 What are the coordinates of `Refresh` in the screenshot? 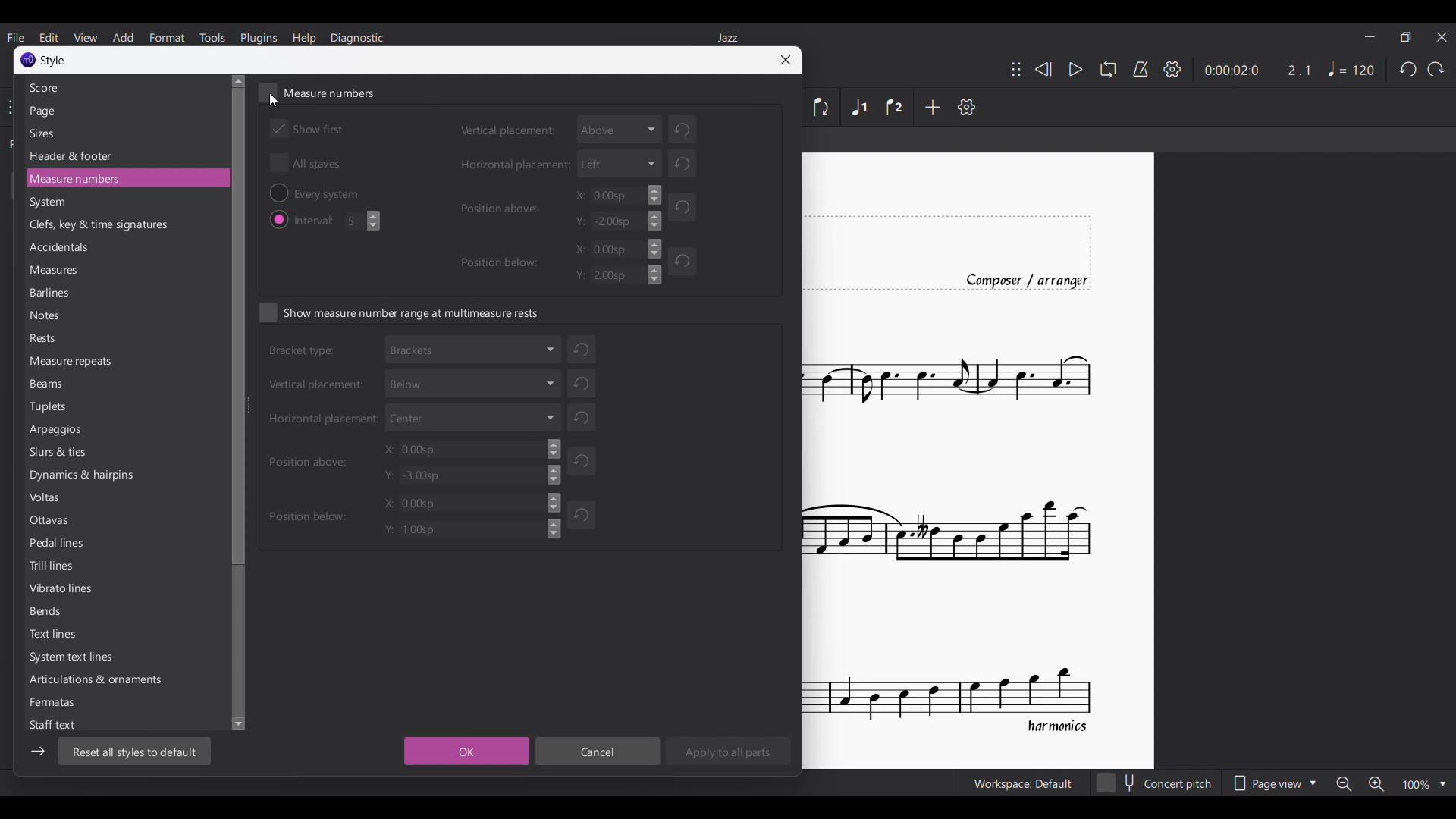 It's located at (585, 460).